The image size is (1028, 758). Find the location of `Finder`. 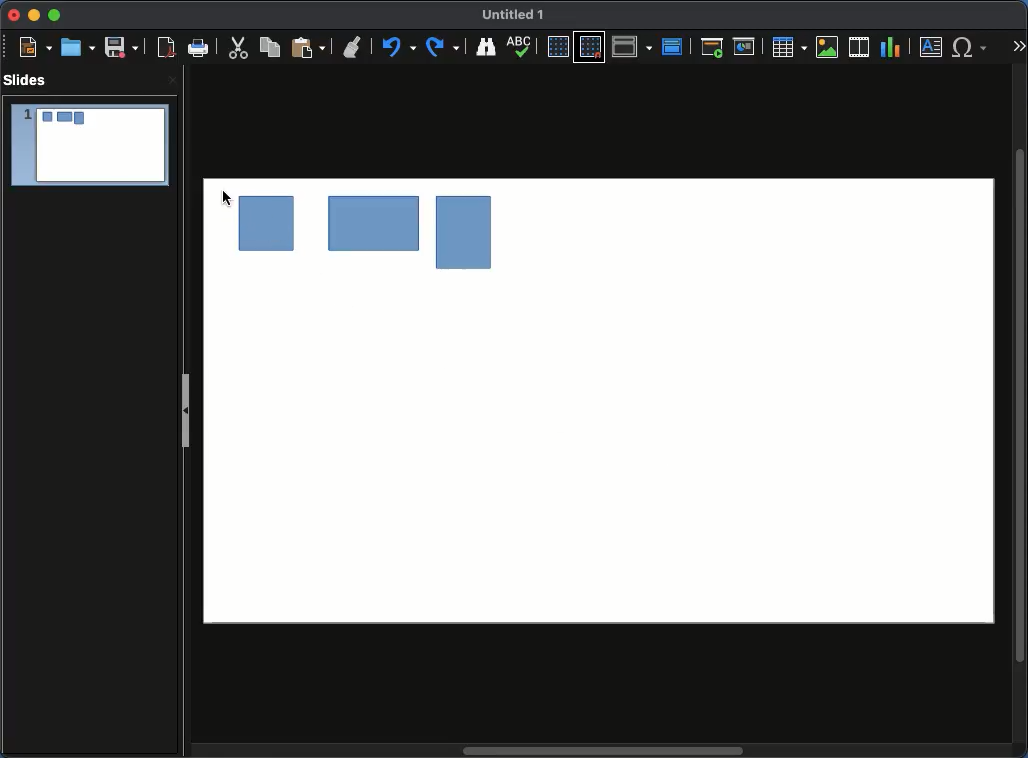

Finder is located at coordinates (487, 47).